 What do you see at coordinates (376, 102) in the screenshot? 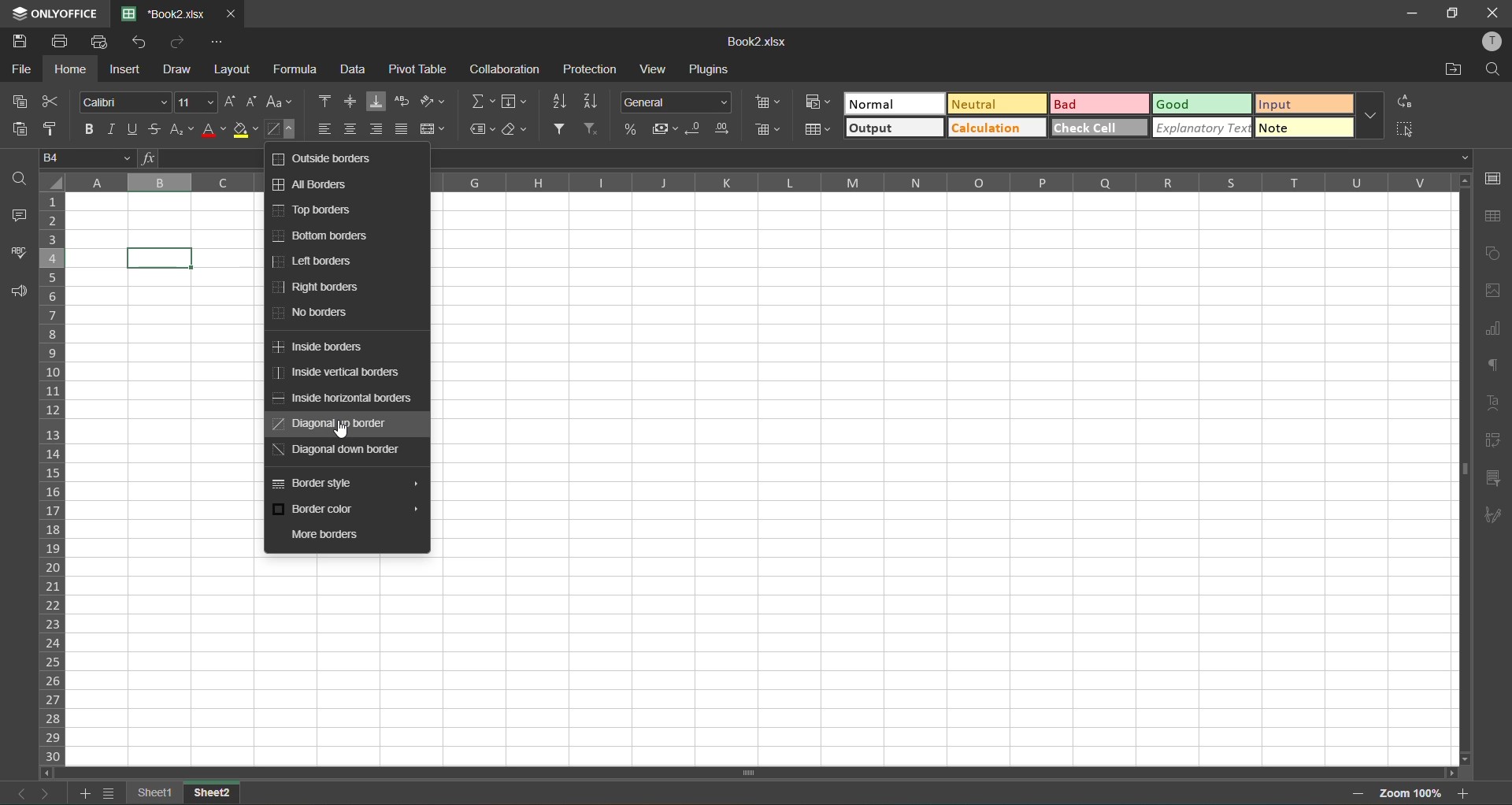
I see `align bottom` at bounding box center [376, 102].